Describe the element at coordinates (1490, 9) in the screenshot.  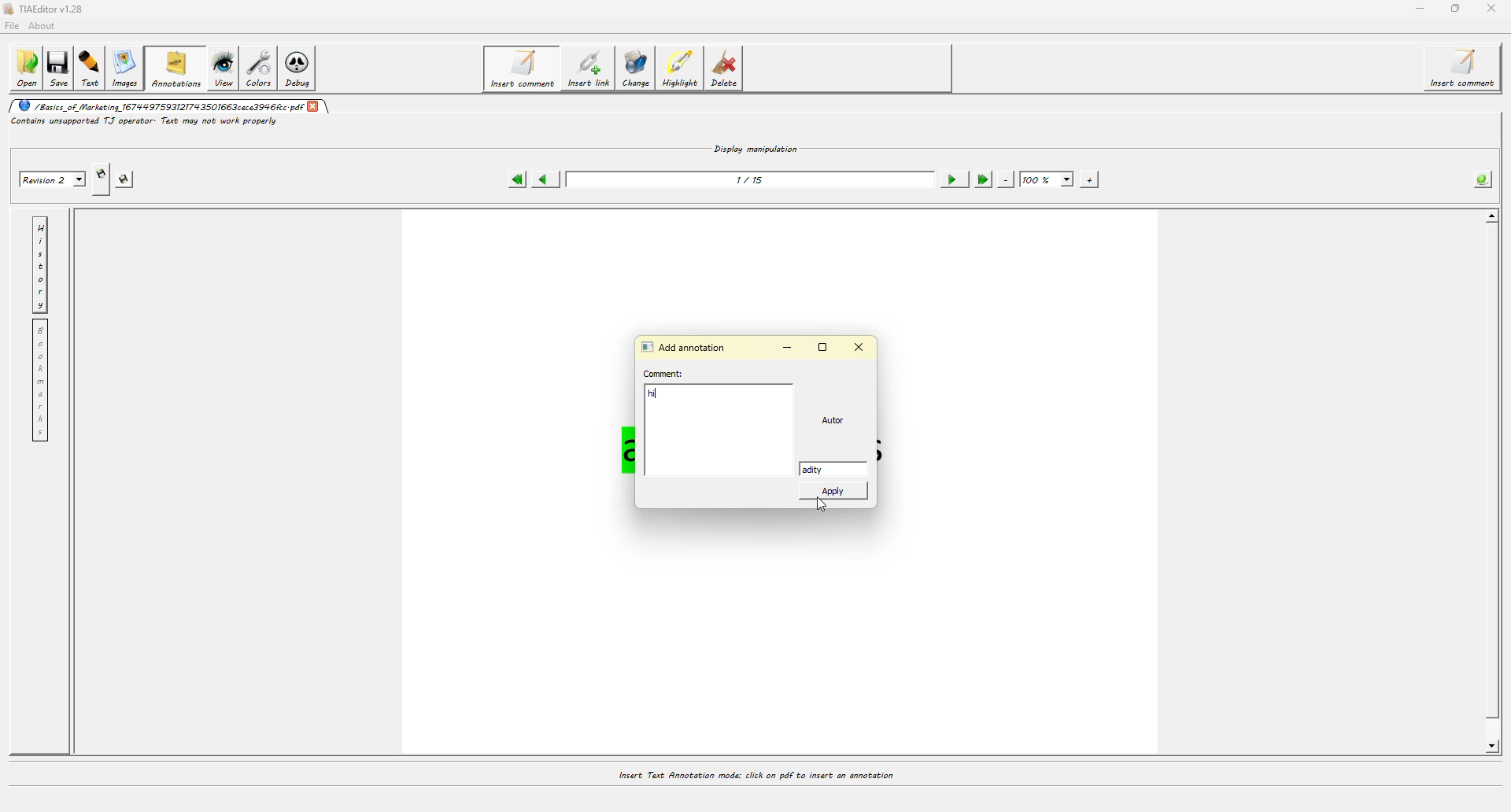
I see `close` at that location.